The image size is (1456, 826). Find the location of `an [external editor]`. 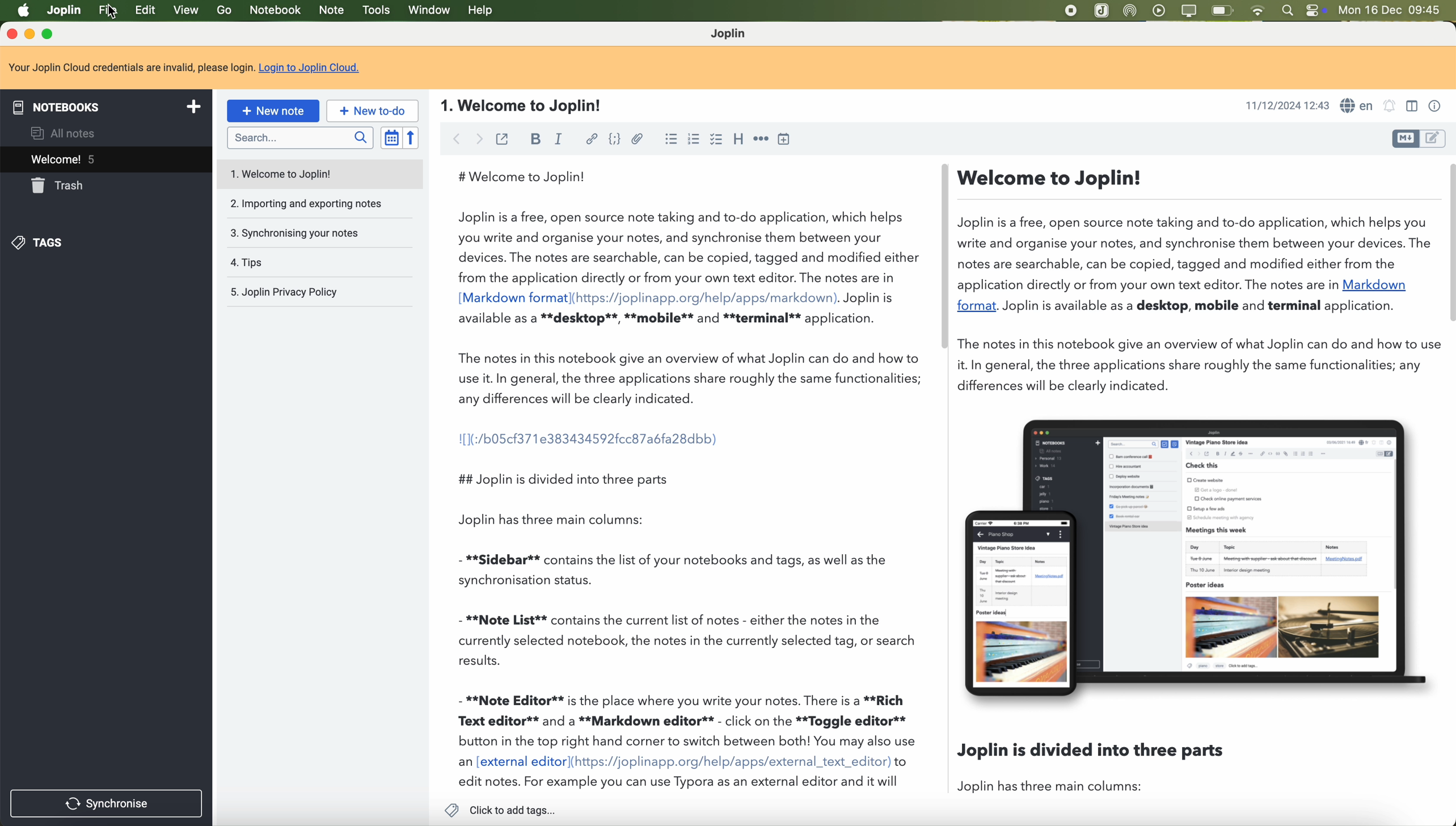

an [external editor] is located at coordinates (513, 762).